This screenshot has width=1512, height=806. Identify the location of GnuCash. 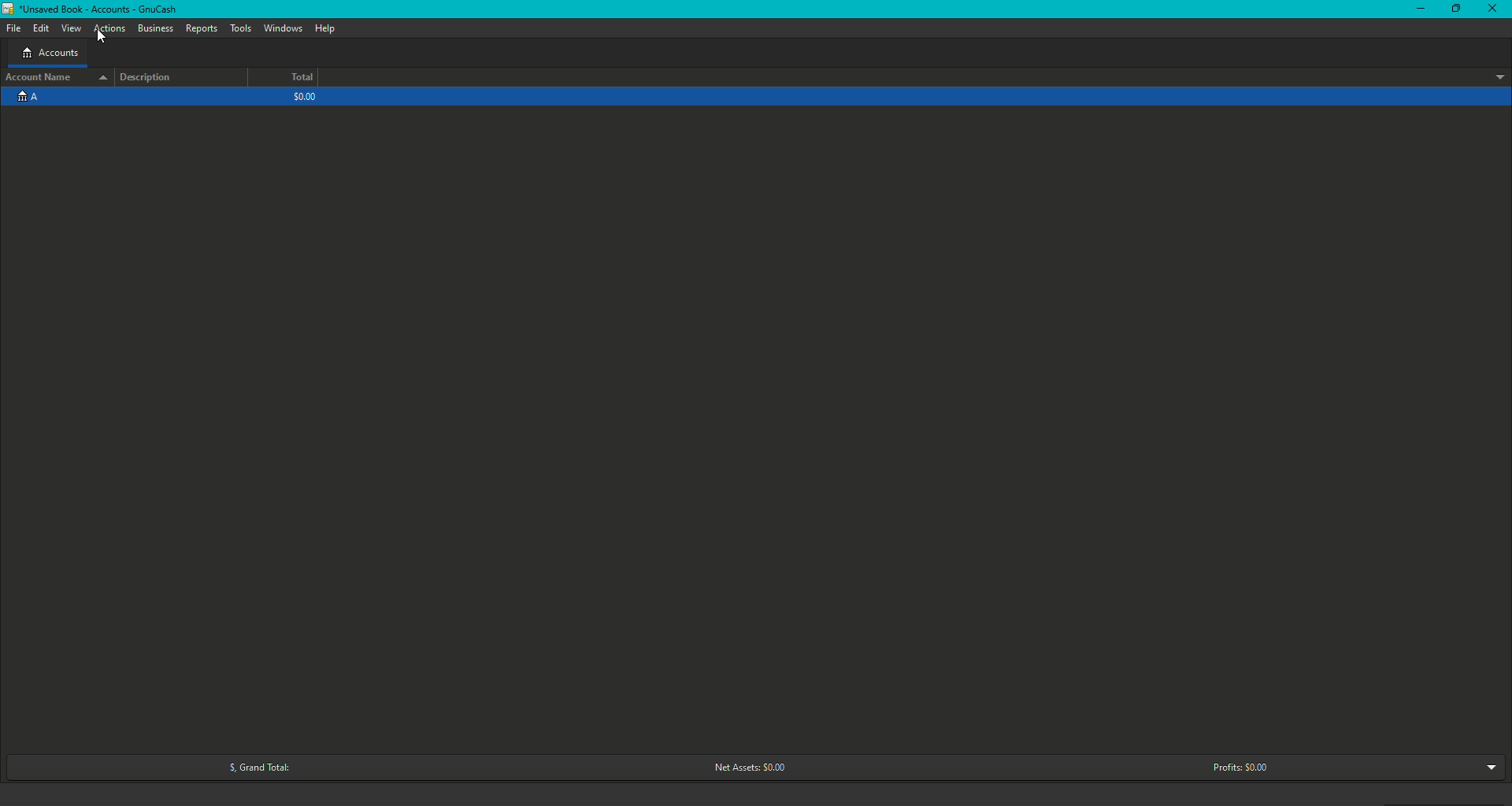
(93, 8).